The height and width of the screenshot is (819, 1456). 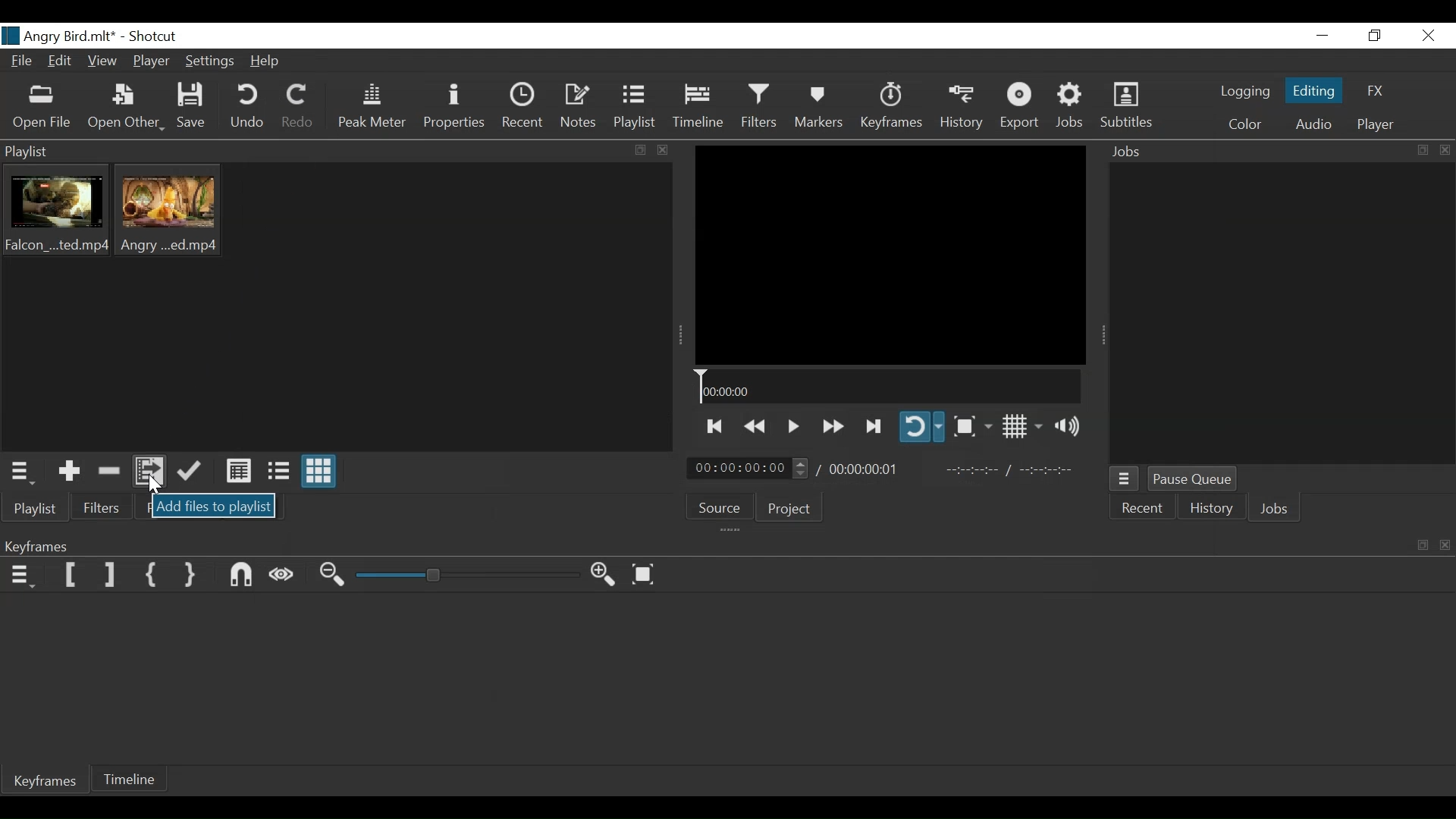 I want to click on Zoom Keyframe out, so click(x=335, y=577).